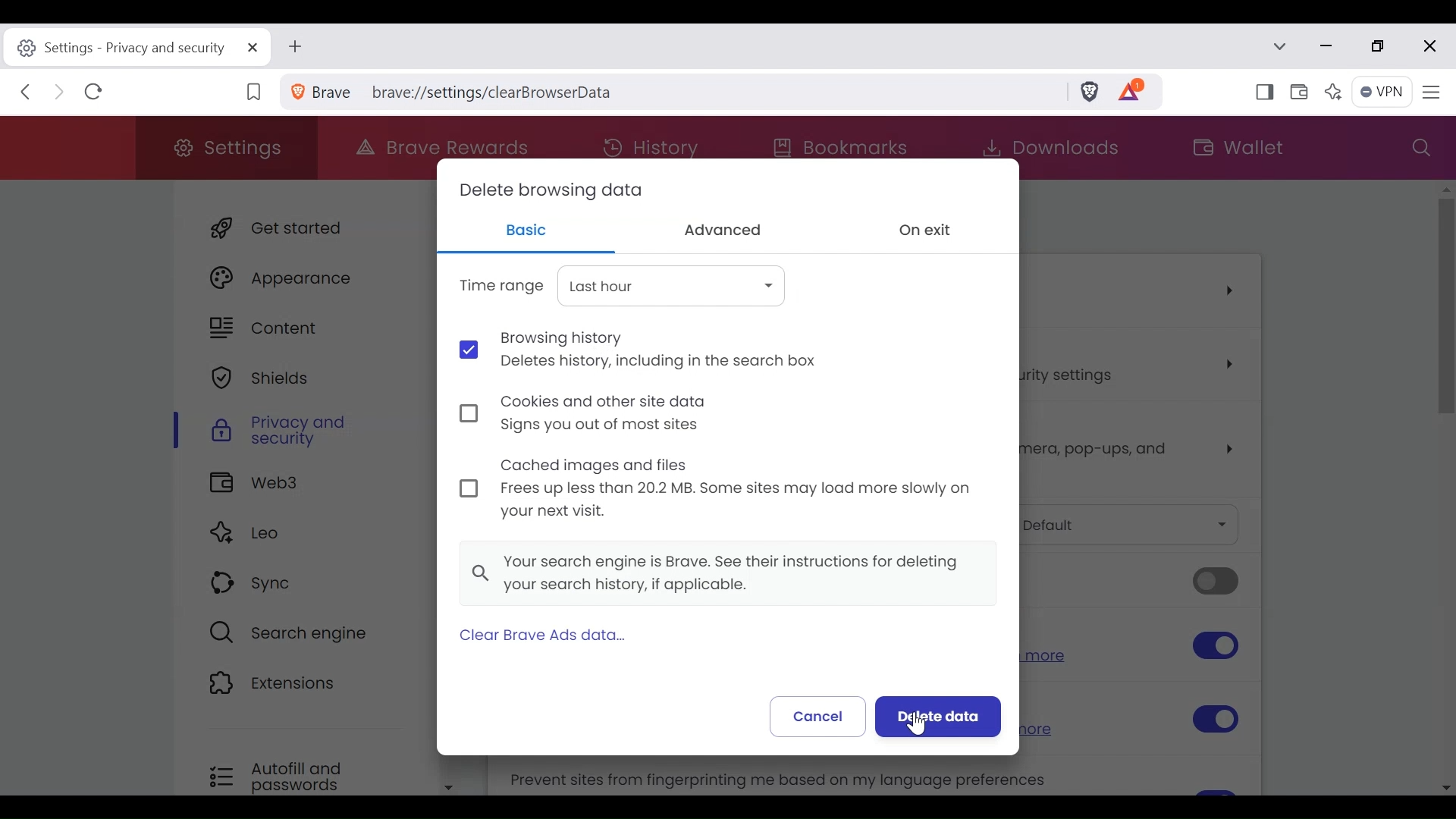 This screenshot has width=1456, height=819. I want to click on Customize and Control, so click(1431, 92).